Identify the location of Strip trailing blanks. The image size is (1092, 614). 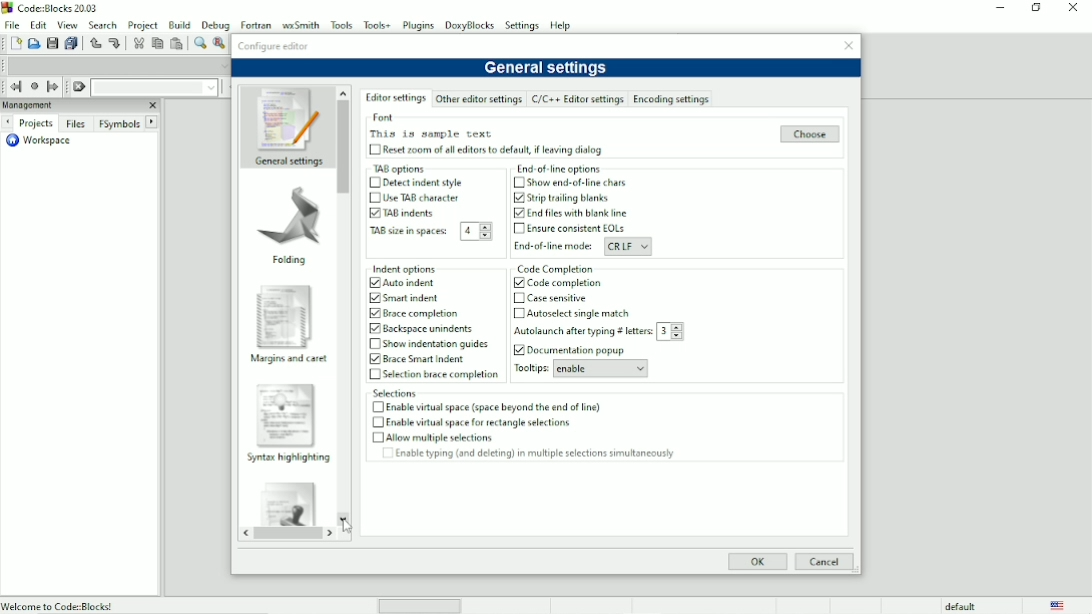
(570, 198).